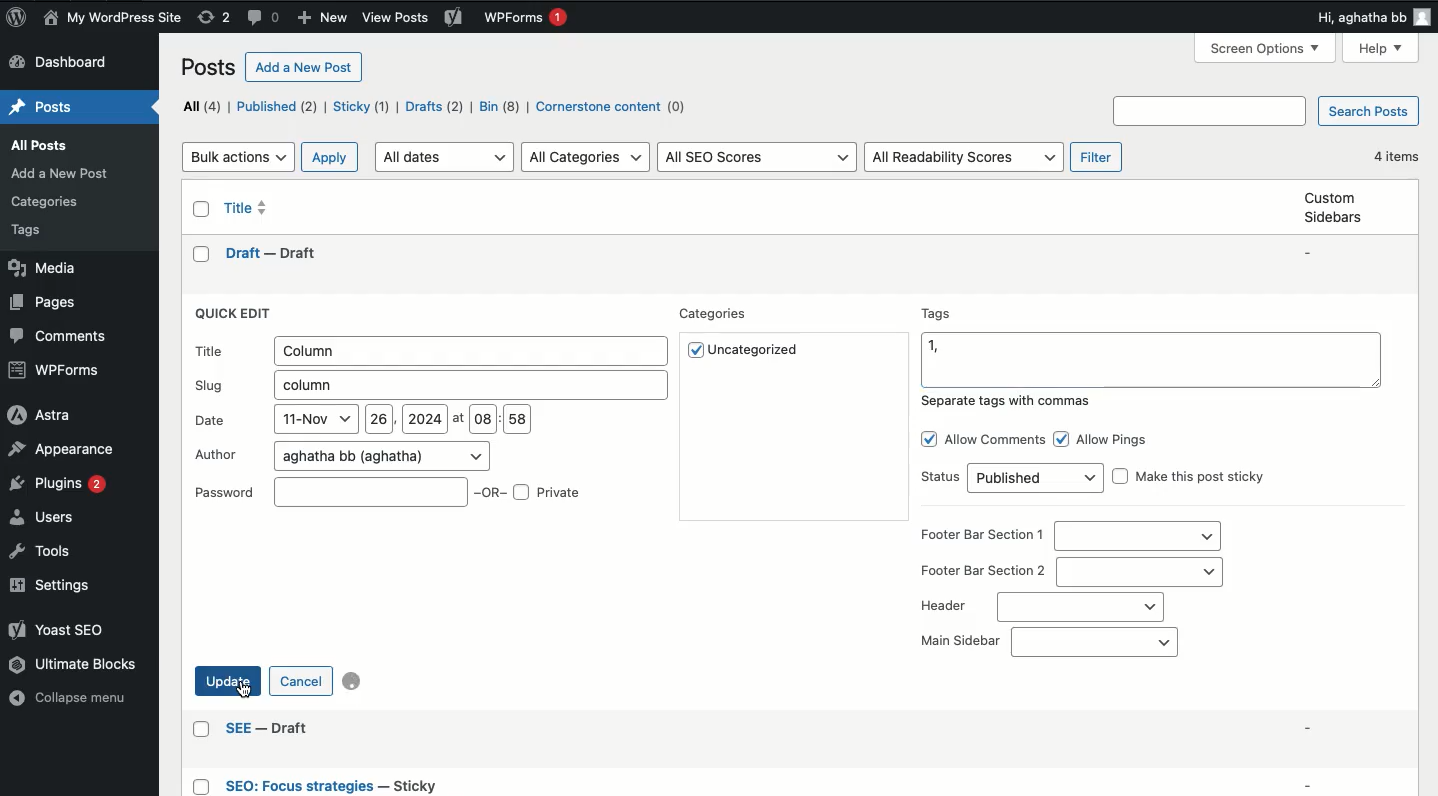  Describe the element at coordinates (614, 109) in the screenshot. I see `Cornerstone content` at that location.